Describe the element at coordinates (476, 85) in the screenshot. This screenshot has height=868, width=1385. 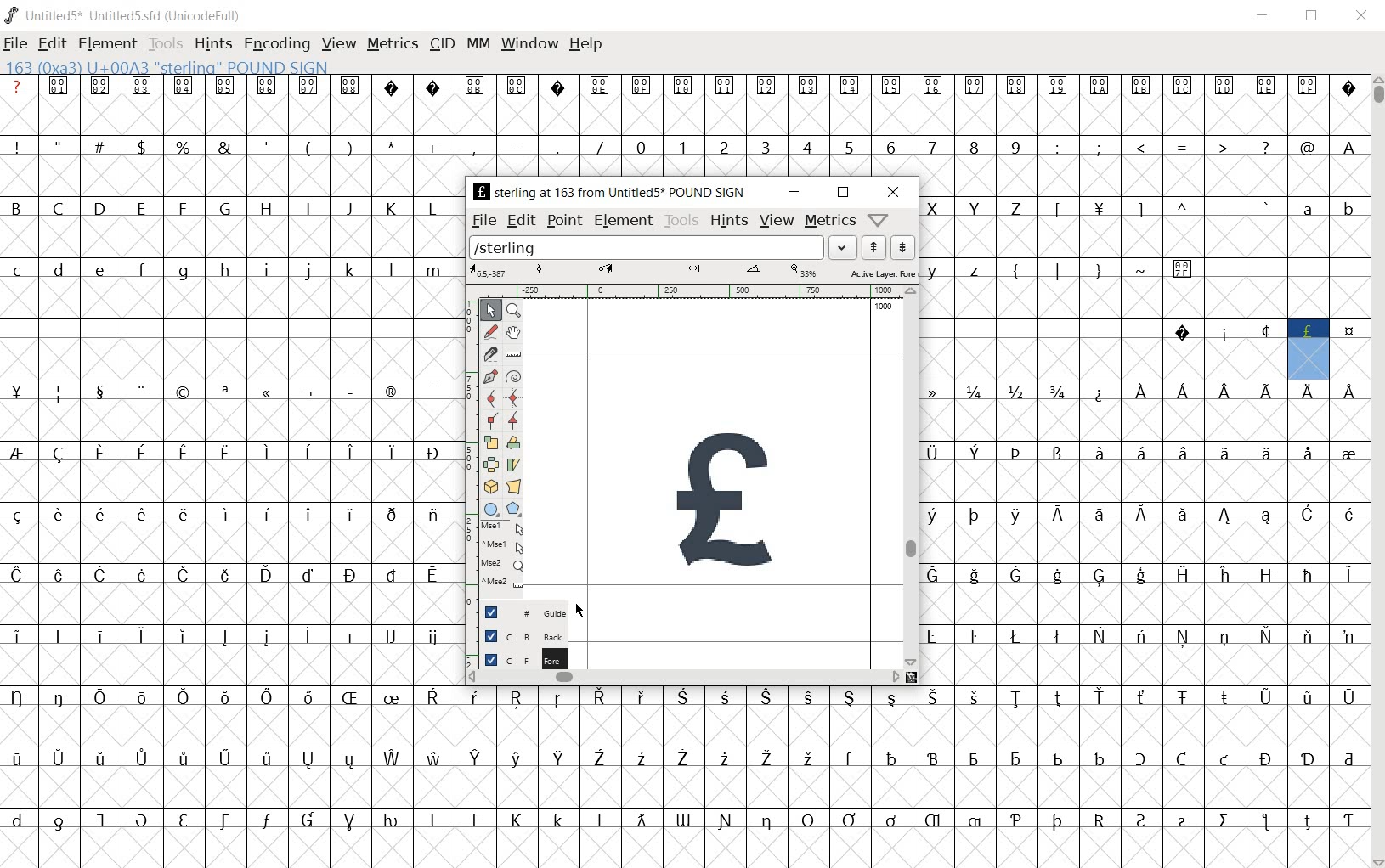
I see `Symbol` at that location.